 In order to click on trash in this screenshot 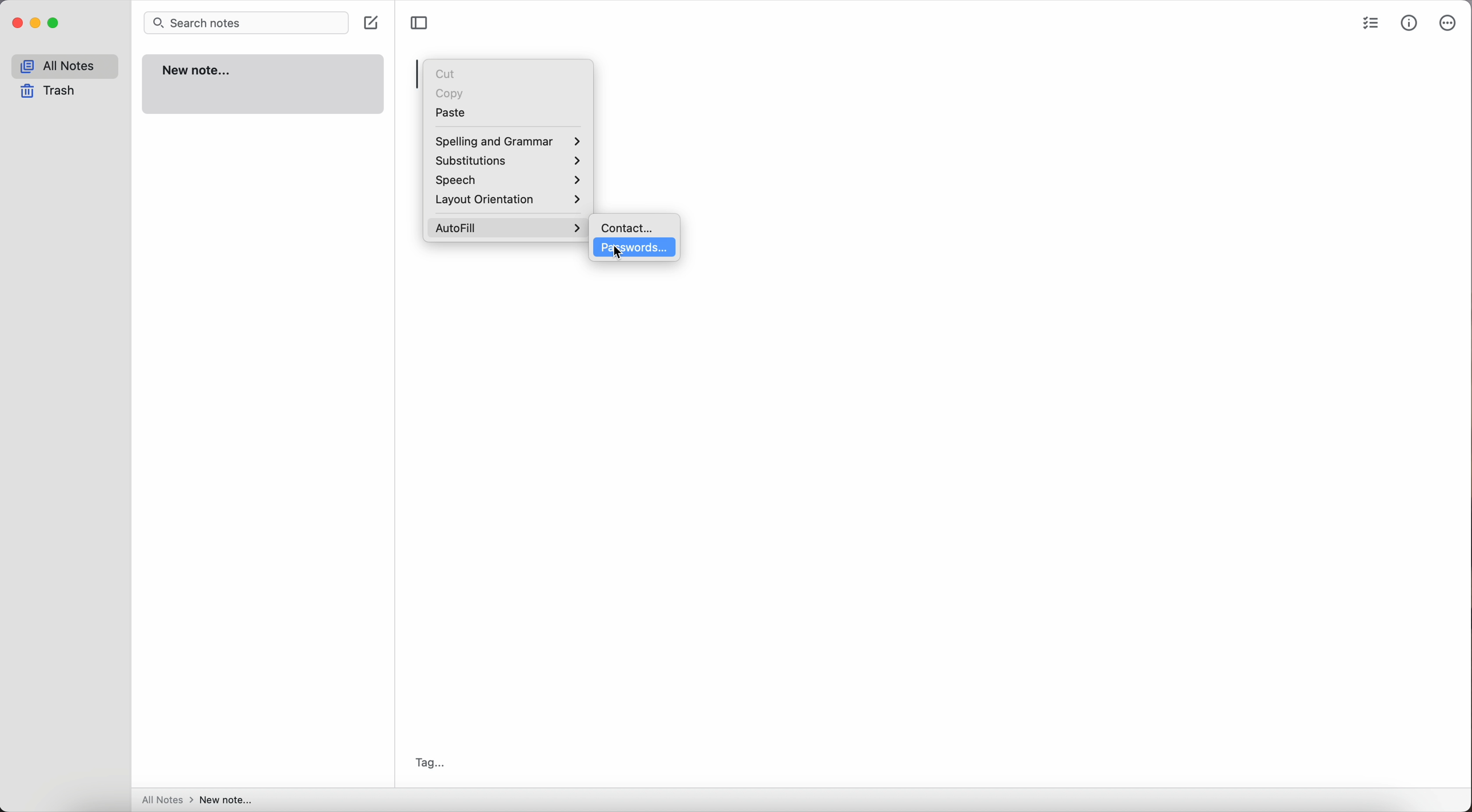, I will do `click(48, 92)`.